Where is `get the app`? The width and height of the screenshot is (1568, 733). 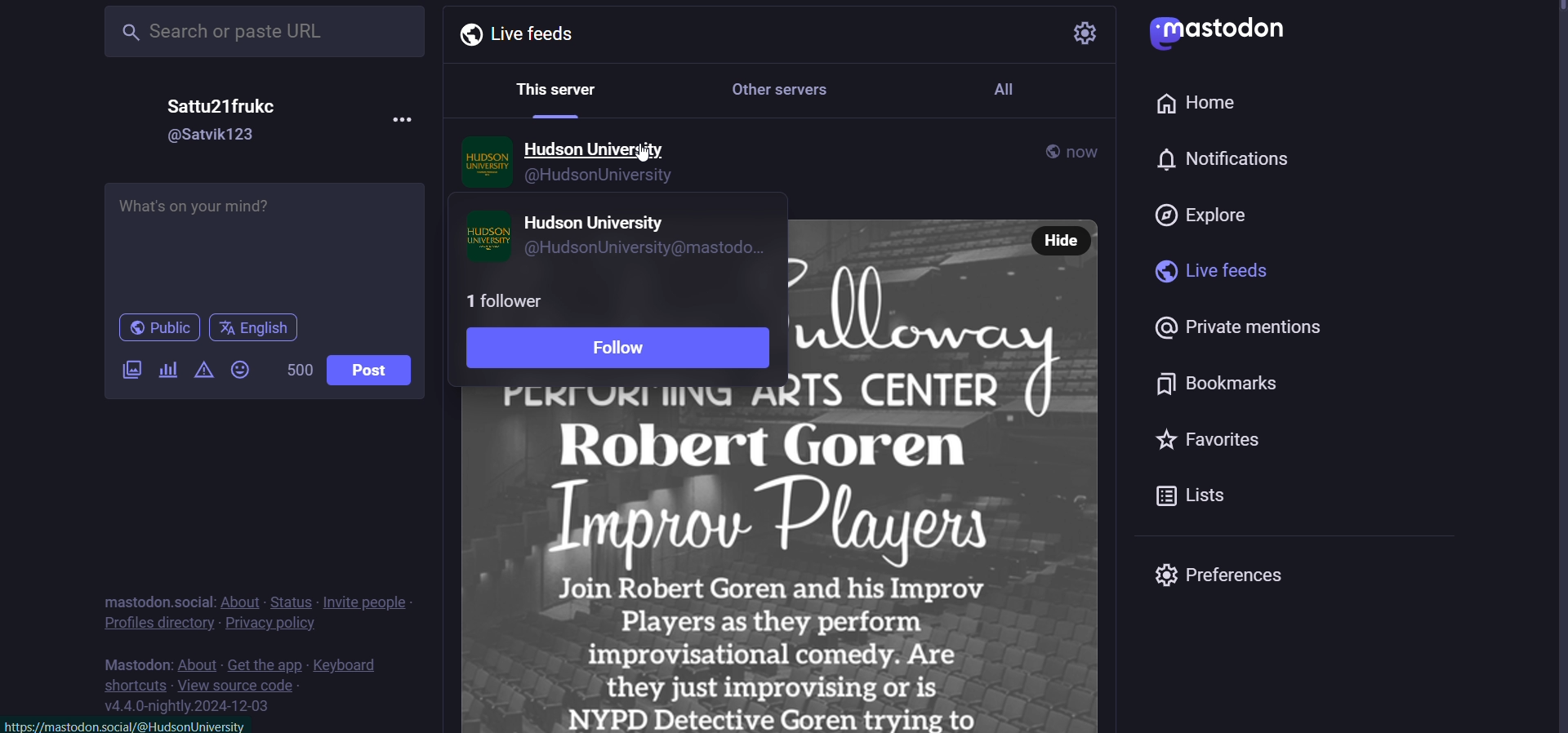 get the app is located at coordinates (265, 665).